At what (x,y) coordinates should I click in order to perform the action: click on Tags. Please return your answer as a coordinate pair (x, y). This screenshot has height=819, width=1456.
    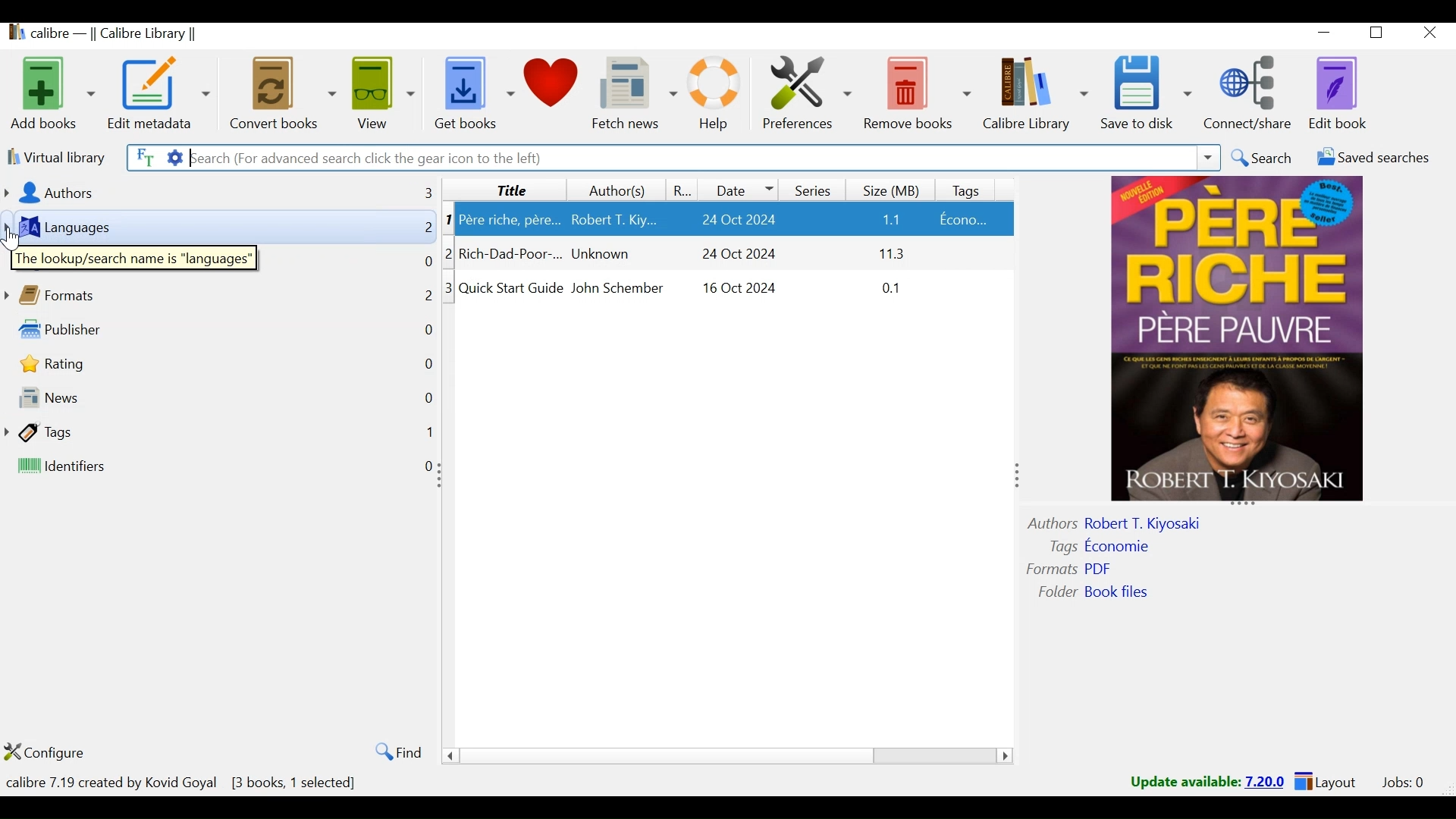
    Looking at the image, I should click on (114, 434).